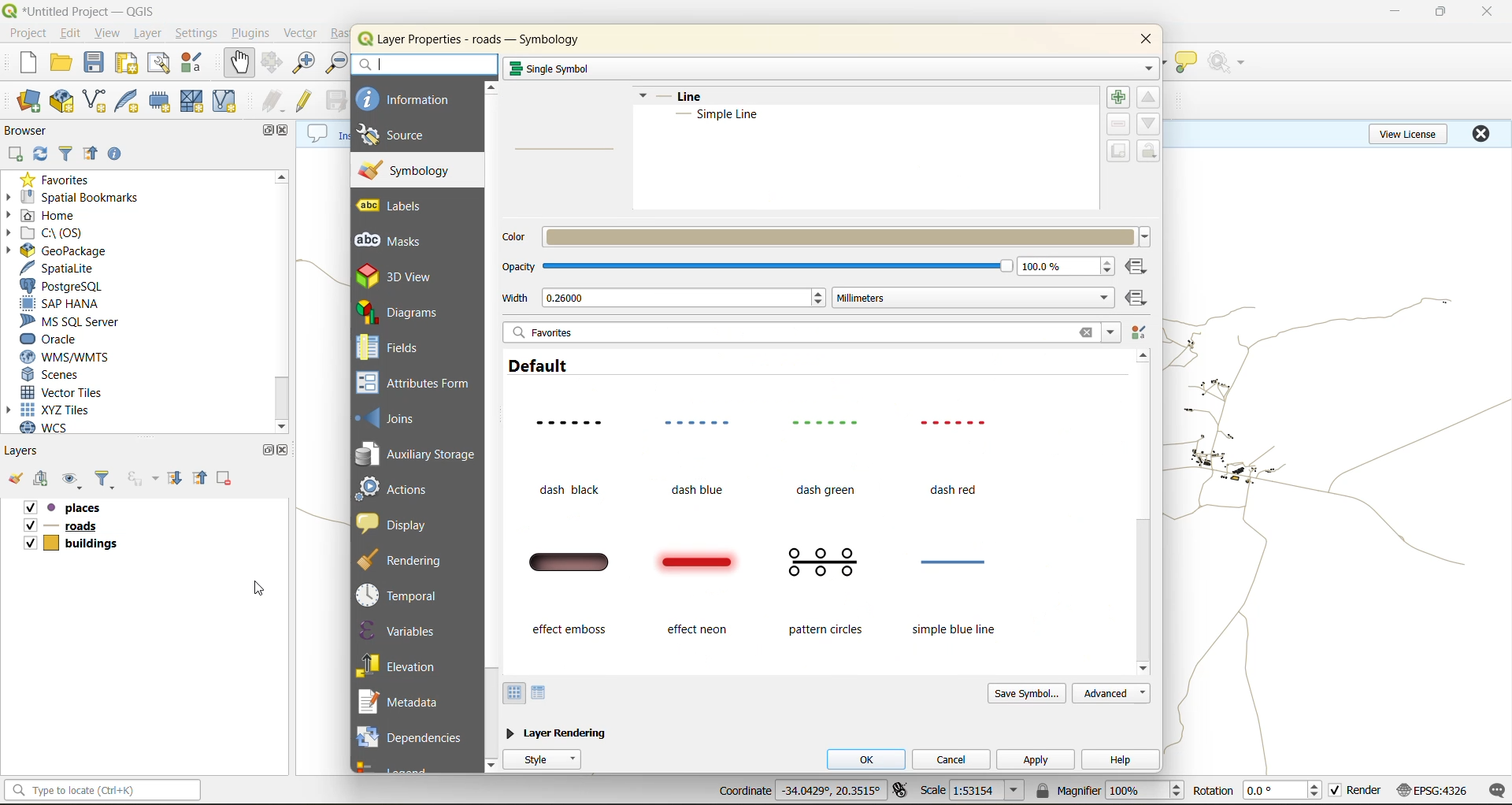 This screenshot has height=805, width=1512. What do you see at coordinates (196, 64) in the screenshot?
I see `style manager` at bounding box center [196, 64].